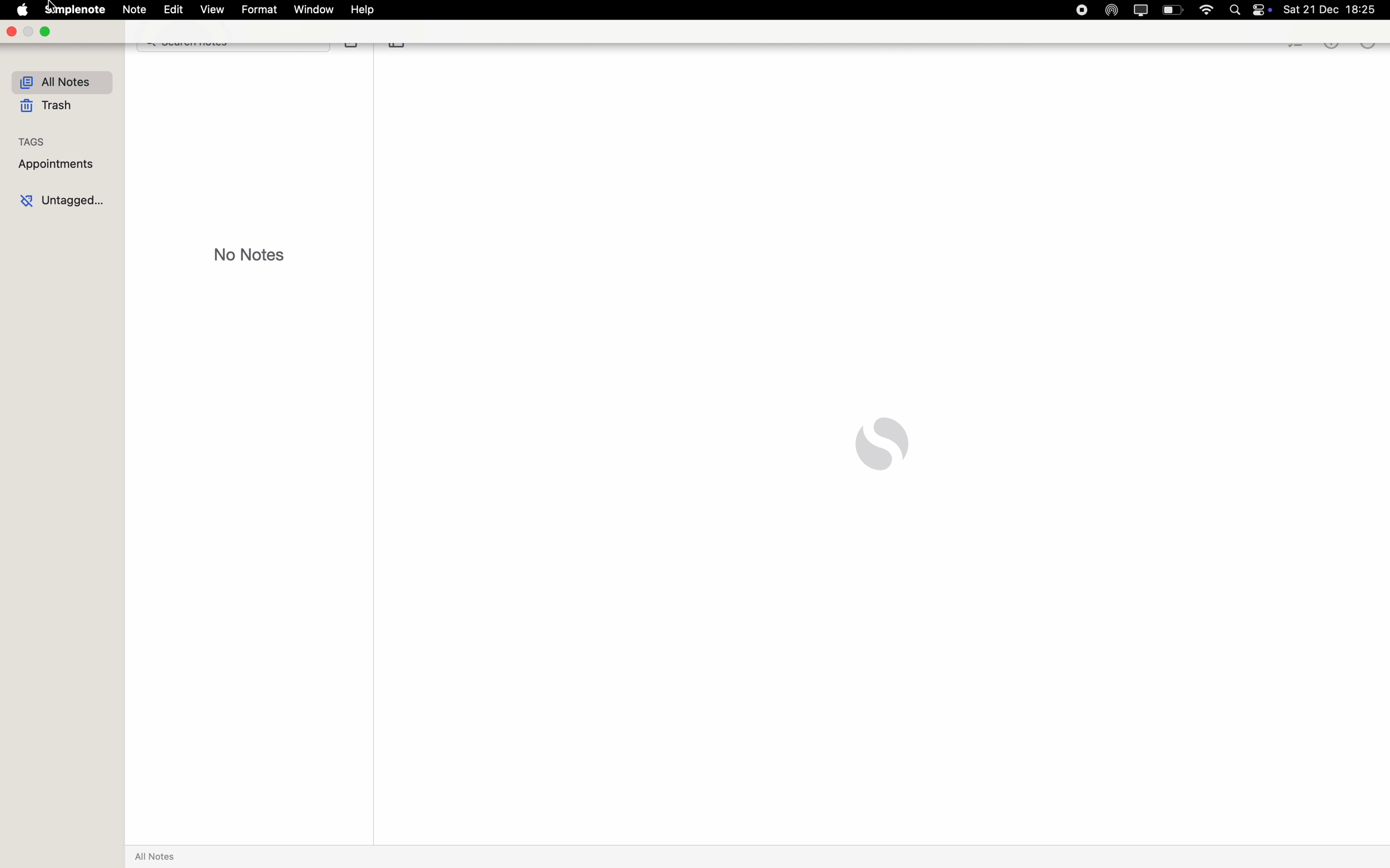 Image resolution: width=1390 pixels, height=868 pixels. I want to click on search bar, so click(233, 49).